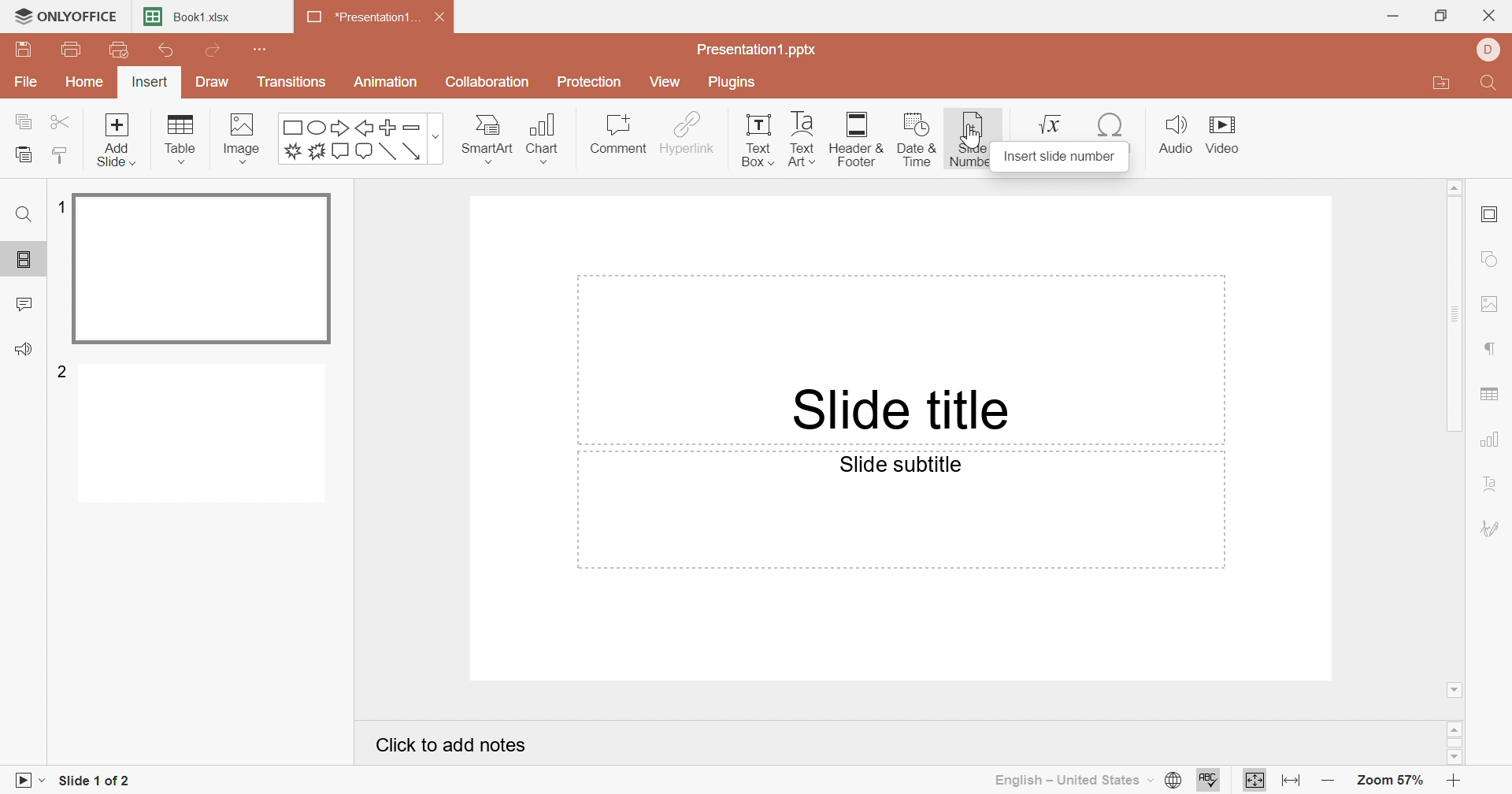 This screenshot has height=794, width=1512. I want to click on Chart settings, so click(1492, 440).